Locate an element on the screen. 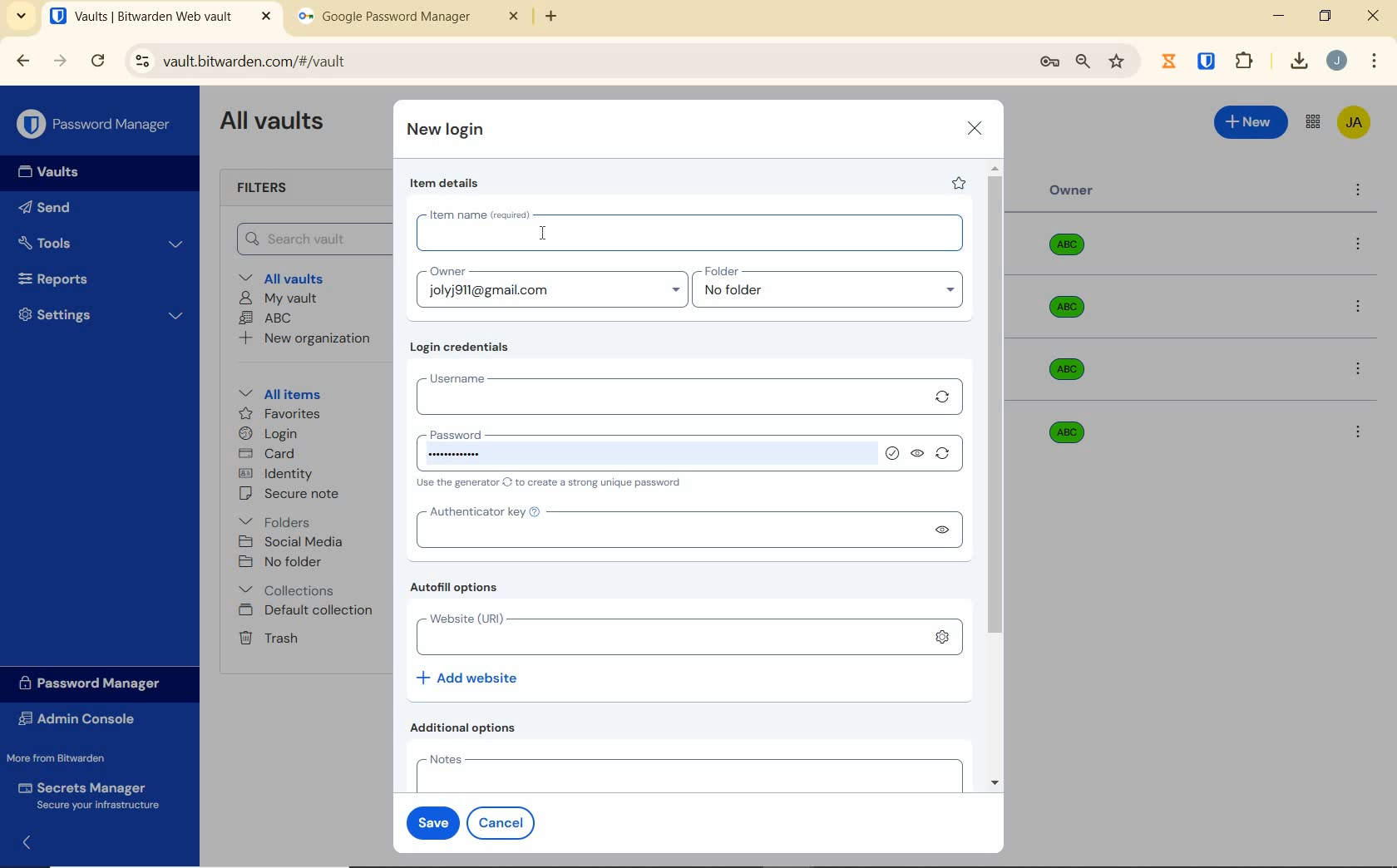 This screenshot has width=1397, height=868. alink is located at coordinates (944, 634).